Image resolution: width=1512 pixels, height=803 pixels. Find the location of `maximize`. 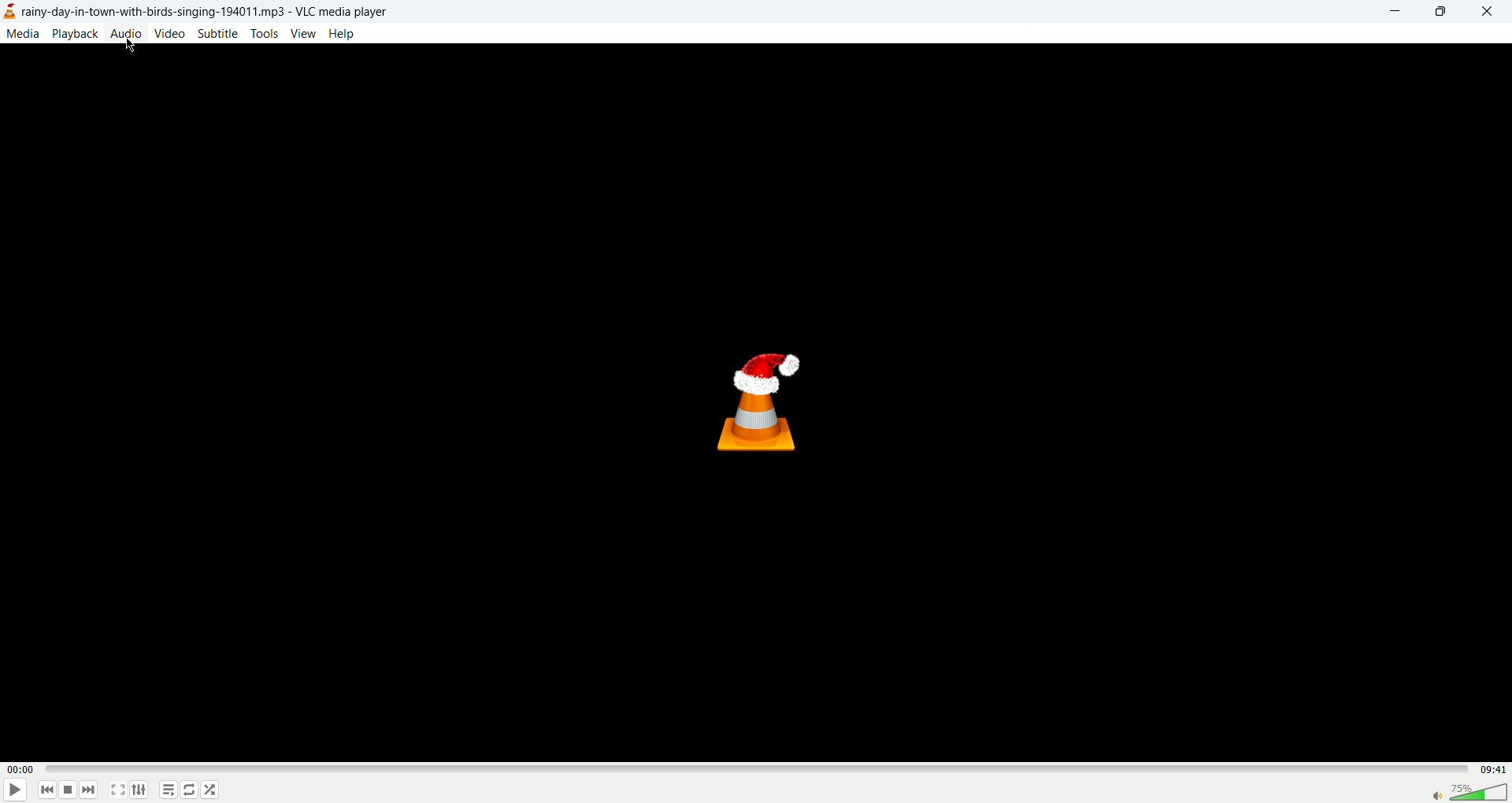

maximize is located at coordinates (1440, 13).